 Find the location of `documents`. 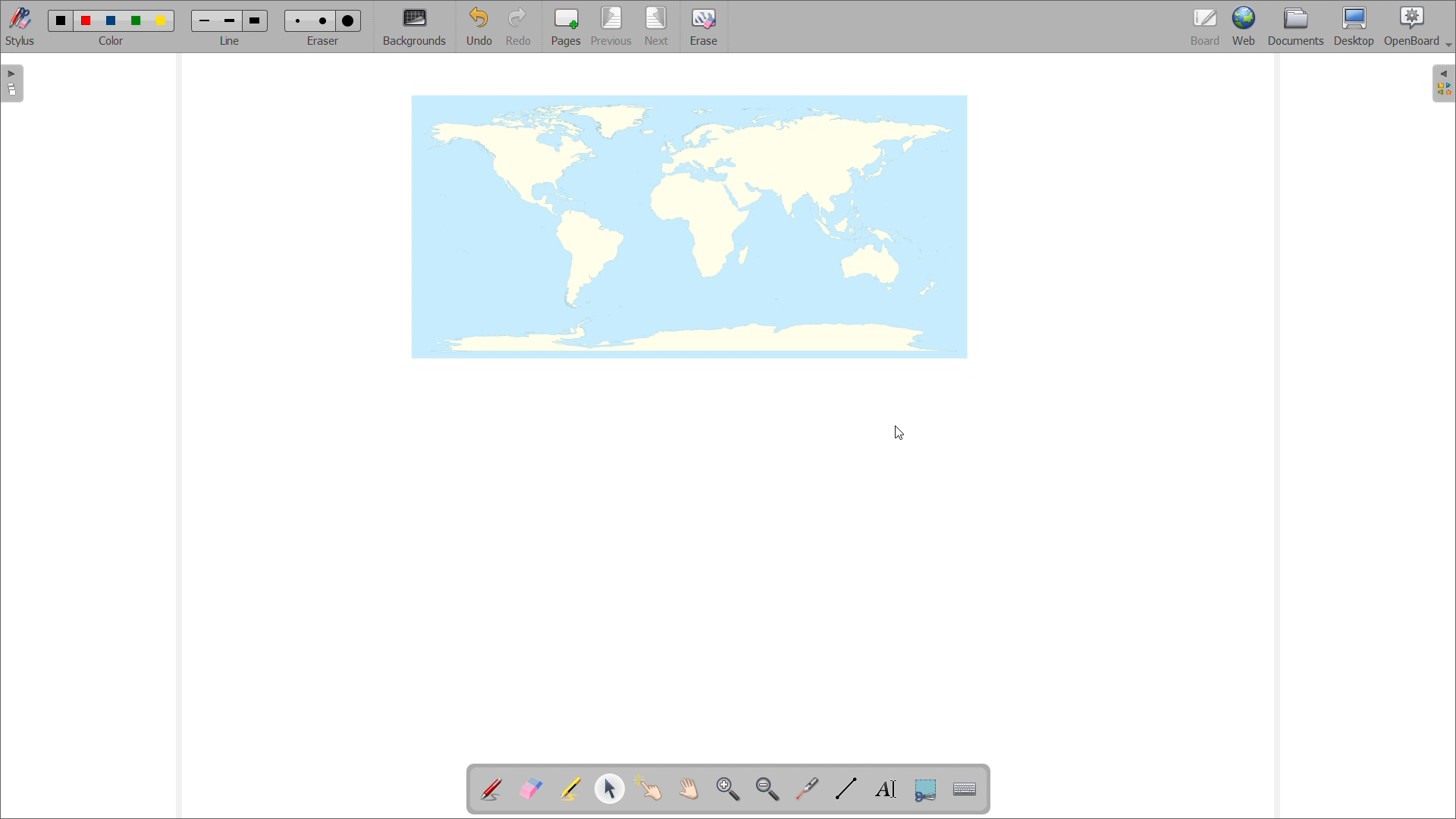

documents is located at coordinates (1298, 27).